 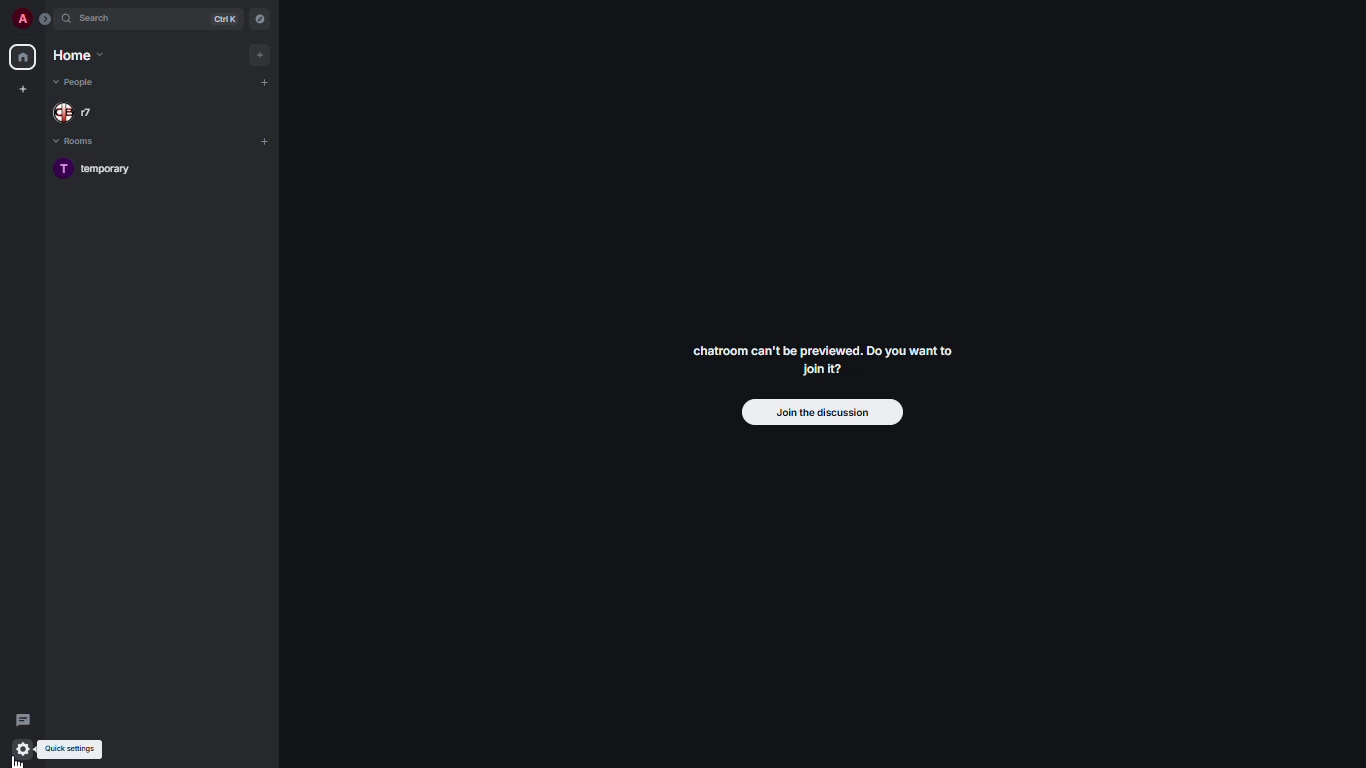 I want to click on people, so click(x=80, y=112).